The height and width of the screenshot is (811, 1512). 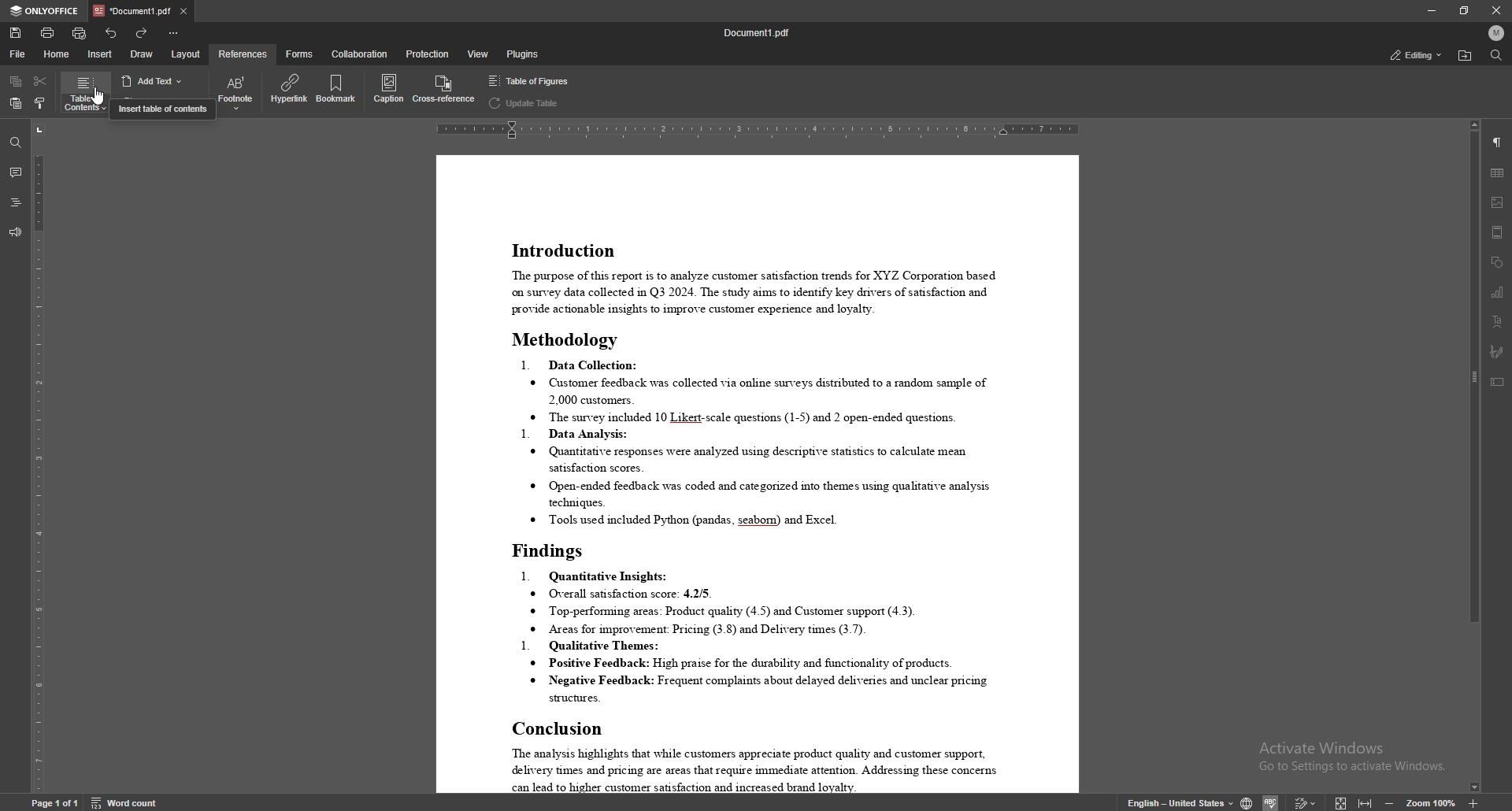 What do you see at coordinates (14, 202) in the screenshot?
I see `headings` at bounding box center [14, 202].